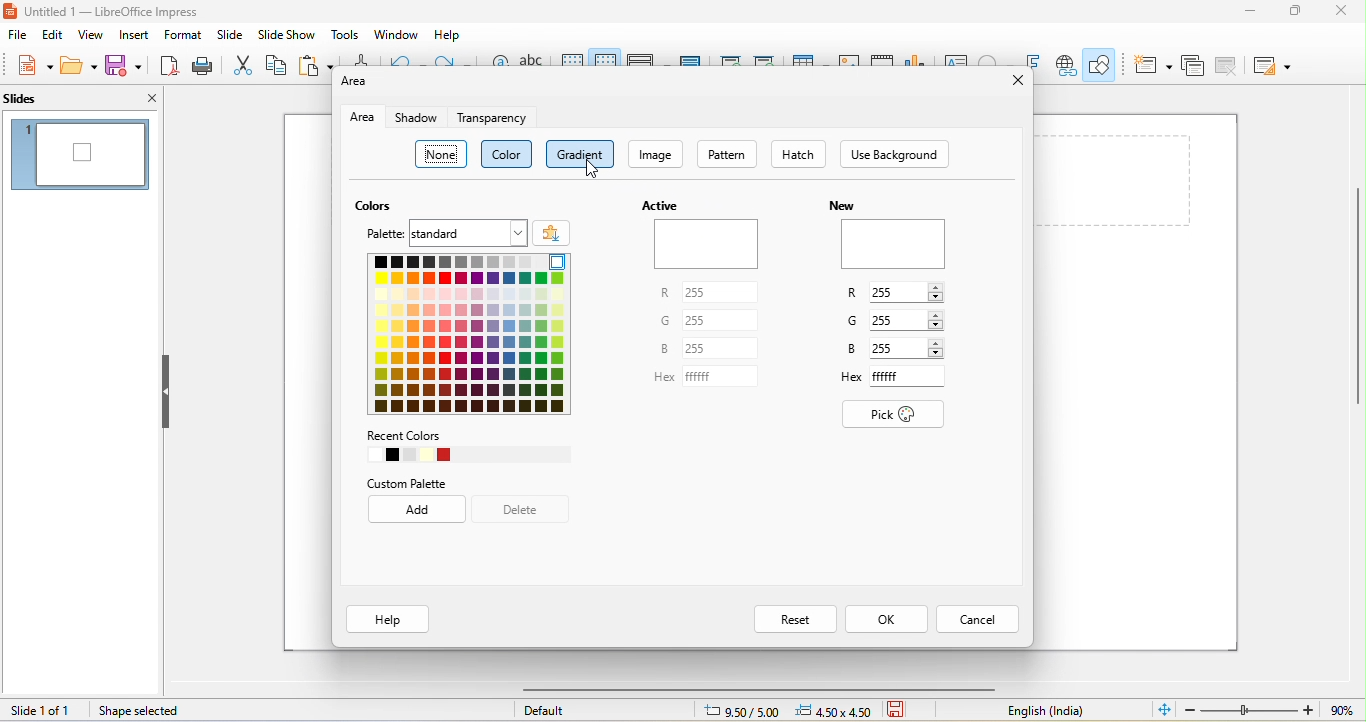 This screenshot has height=722, width=1366. What do you see at coordinates (444, 156) in the screenshot?
I see `none` at bounding box center [444, 156].